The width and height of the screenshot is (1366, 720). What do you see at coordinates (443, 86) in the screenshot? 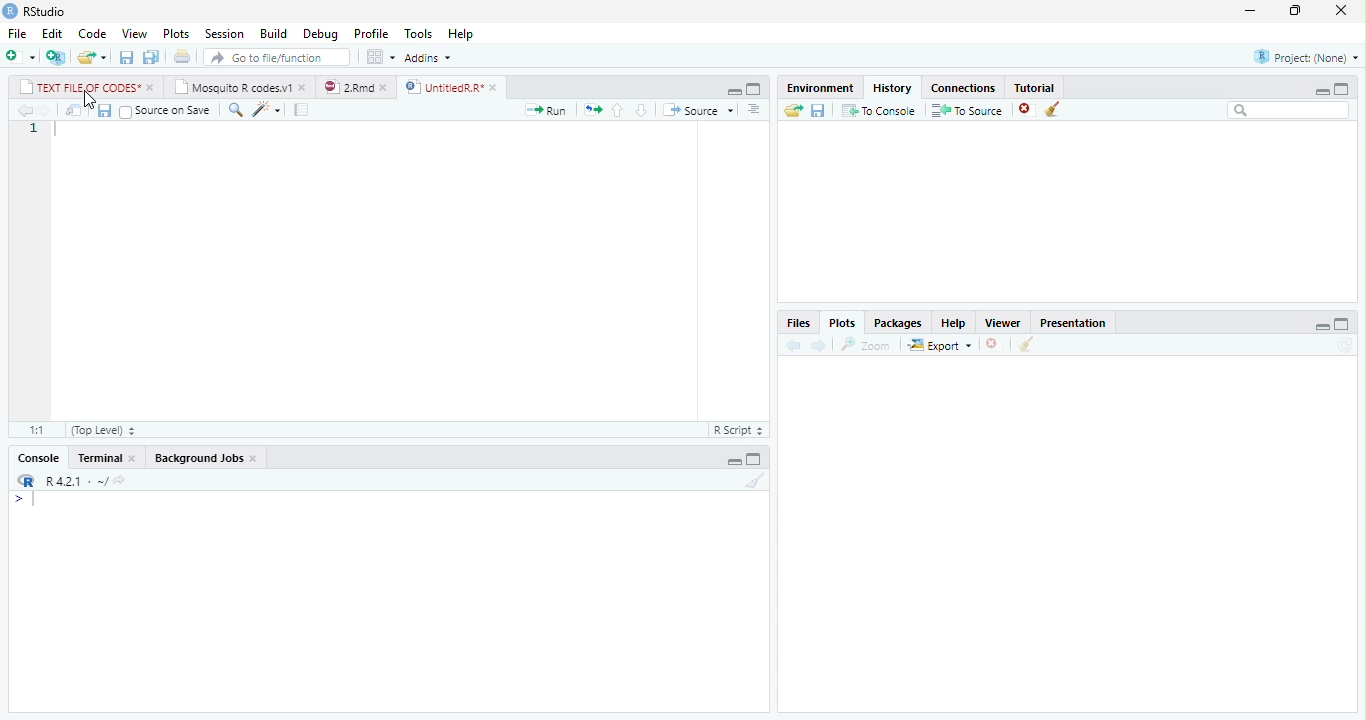
I see `UntitledR.R` at bounding box center [443, 86].